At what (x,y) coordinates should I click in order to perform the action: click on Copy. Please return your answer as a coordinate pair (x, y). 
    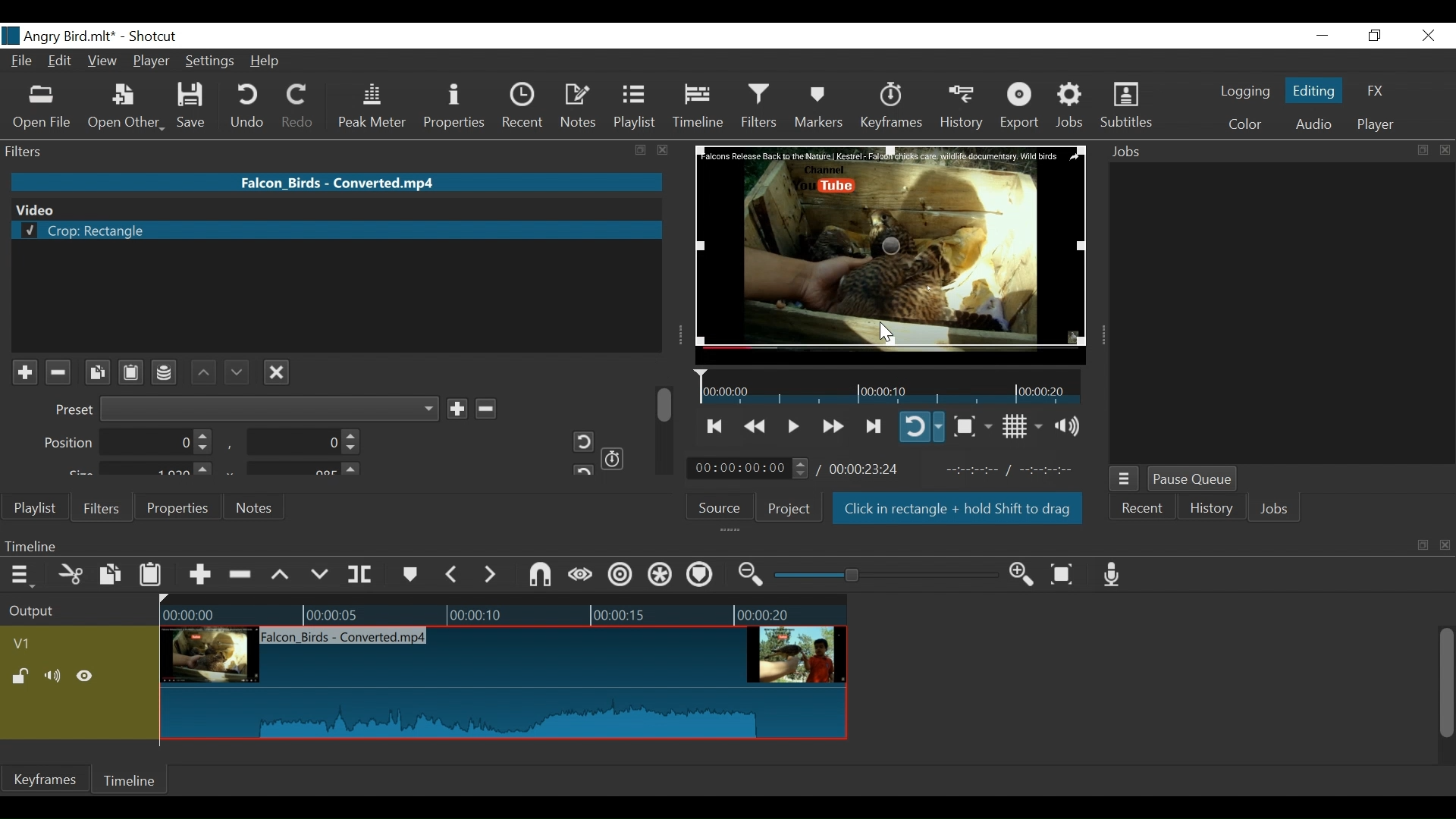
    Looking at the image, I should click on (97, 372).